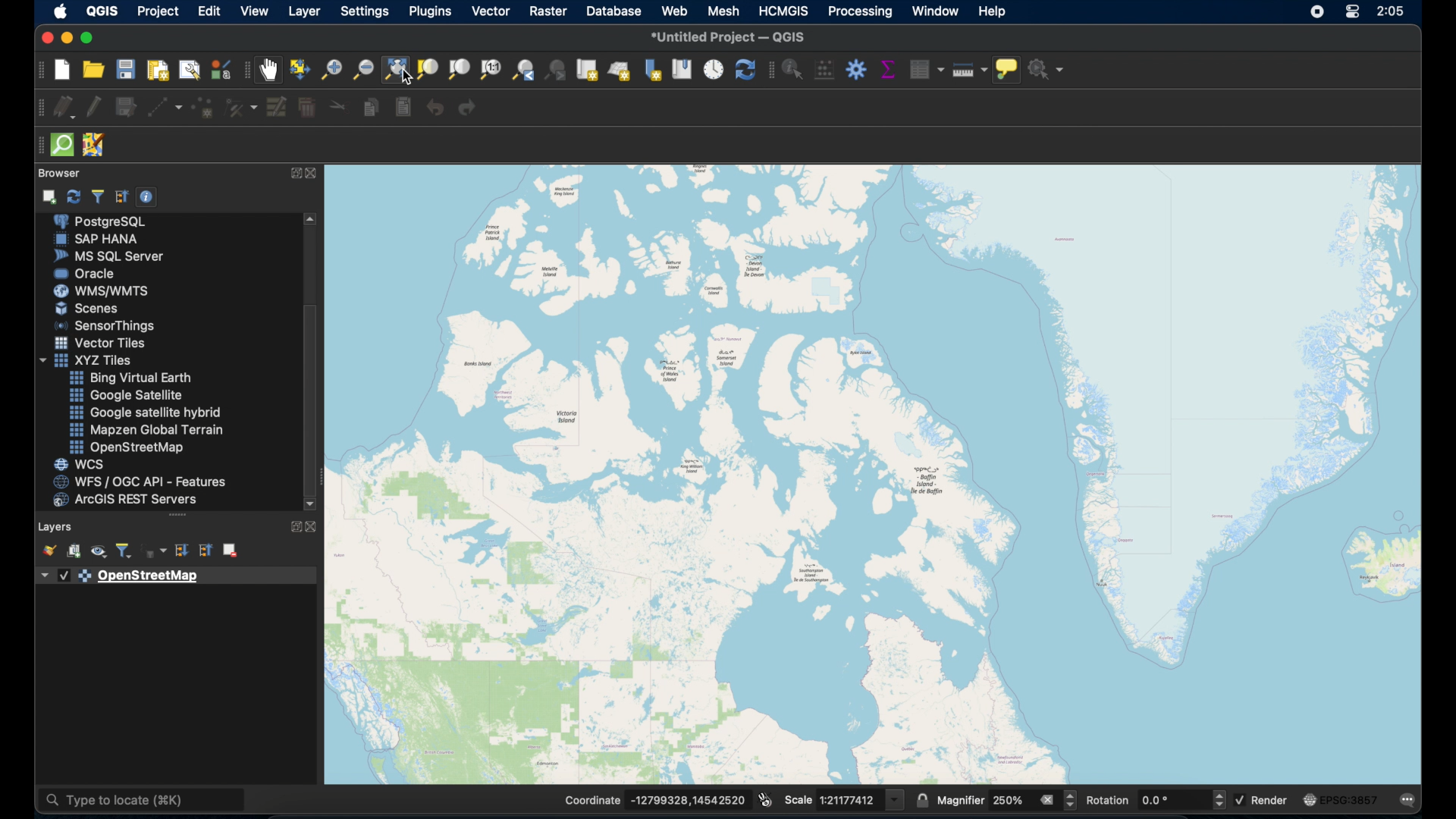  Describe the element at coordinates (103, 221) in the screenshot. I see `postgre sql` at that location.